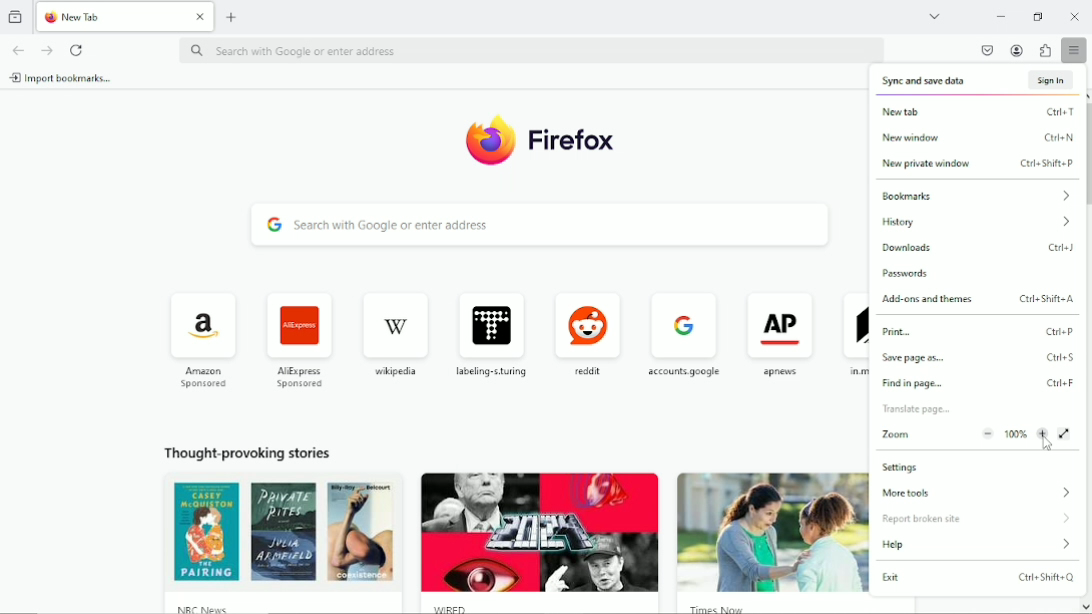 The width and height of the screenshot is (1092, 614). What do you see at coordinates (17, 50) in the screenshot?
I see `go back` at bounding box center [17, 50].